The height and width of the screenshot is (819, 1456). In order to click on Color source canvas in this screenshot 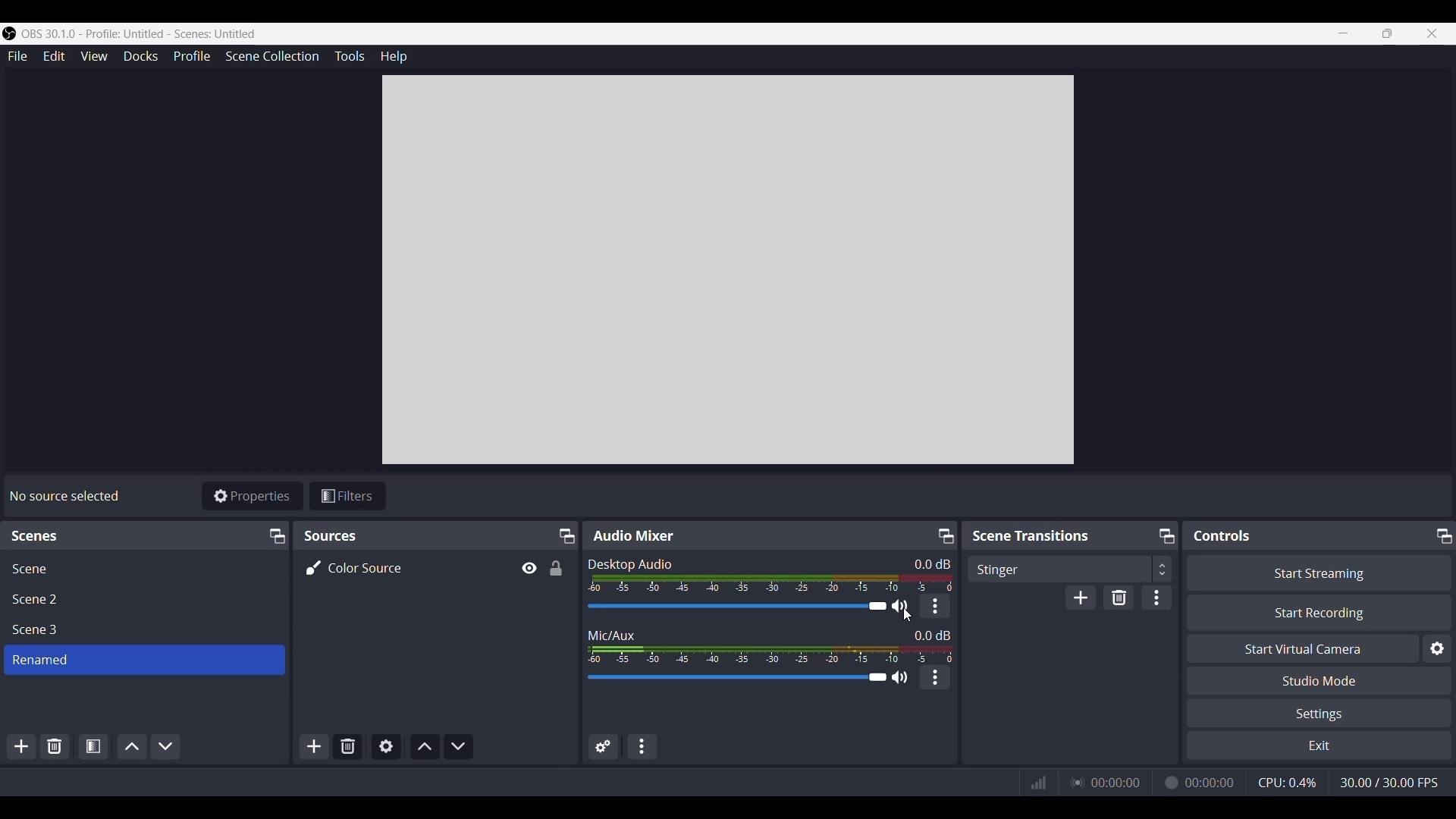, I will do `click(728, 270)`.